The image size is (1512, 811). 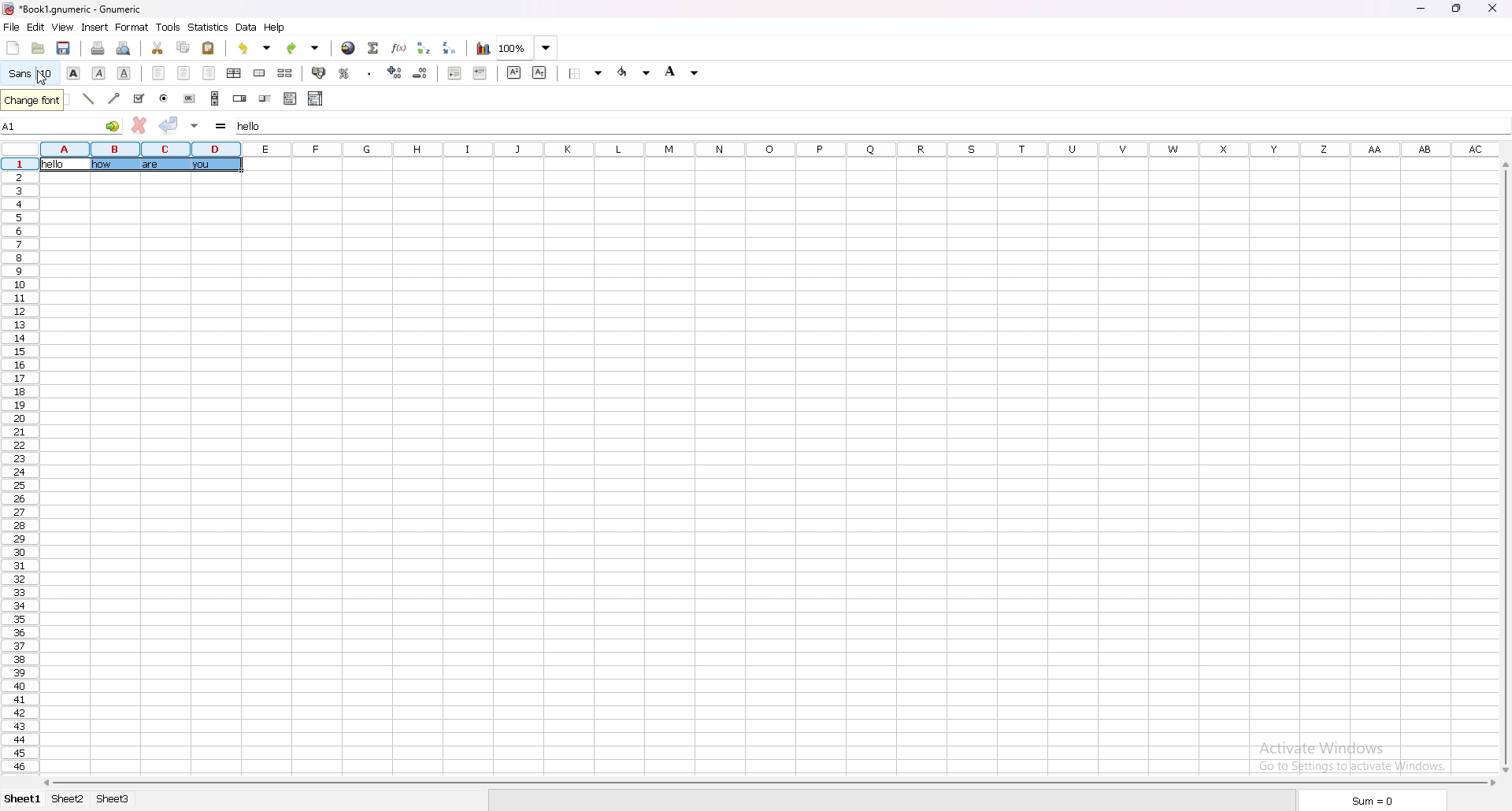 I want to click on merge cells, so click(x=259, y=73).